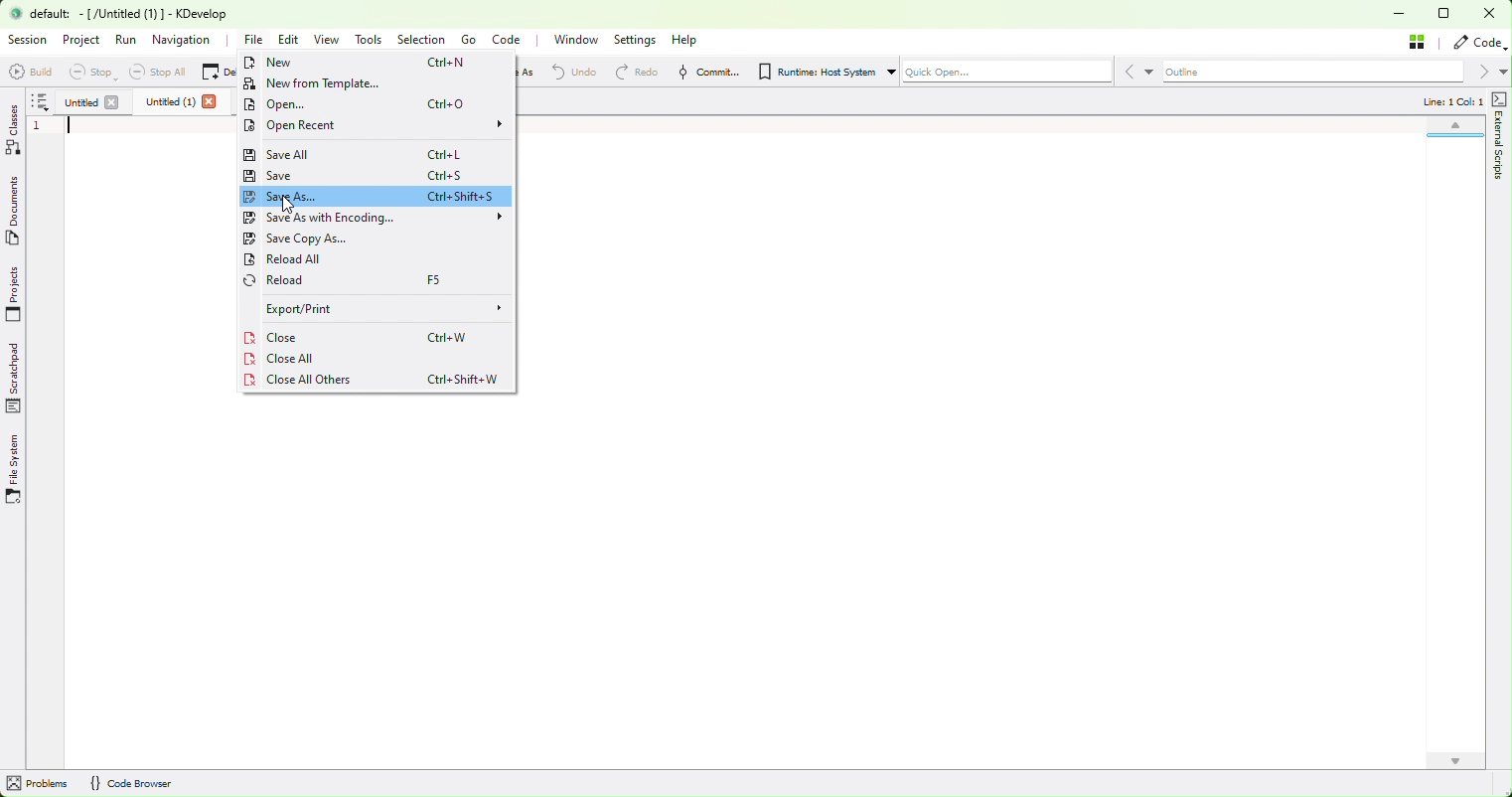 This screenshot has width=1512, height=797. I want to click on Code, so click(513, 42).